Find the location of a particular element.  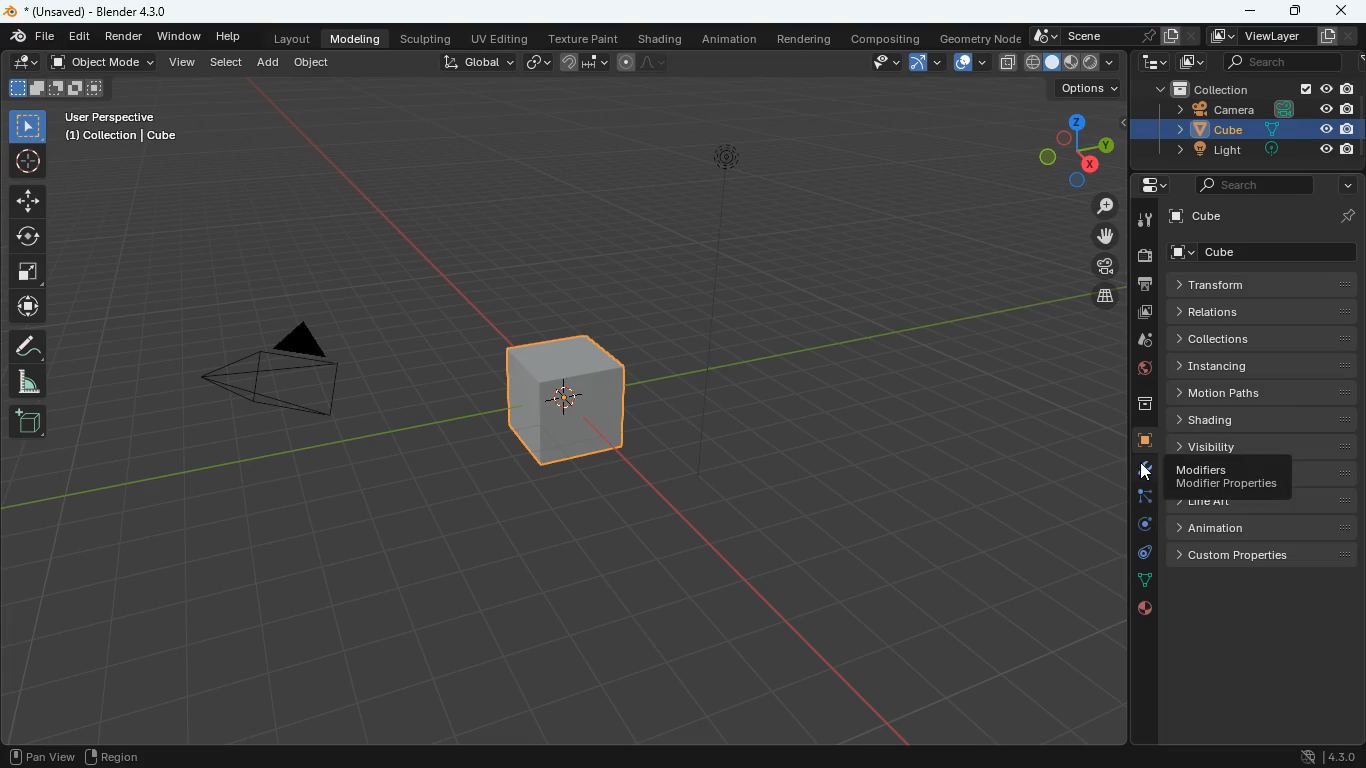

 is located at coordinates (1276, 151).